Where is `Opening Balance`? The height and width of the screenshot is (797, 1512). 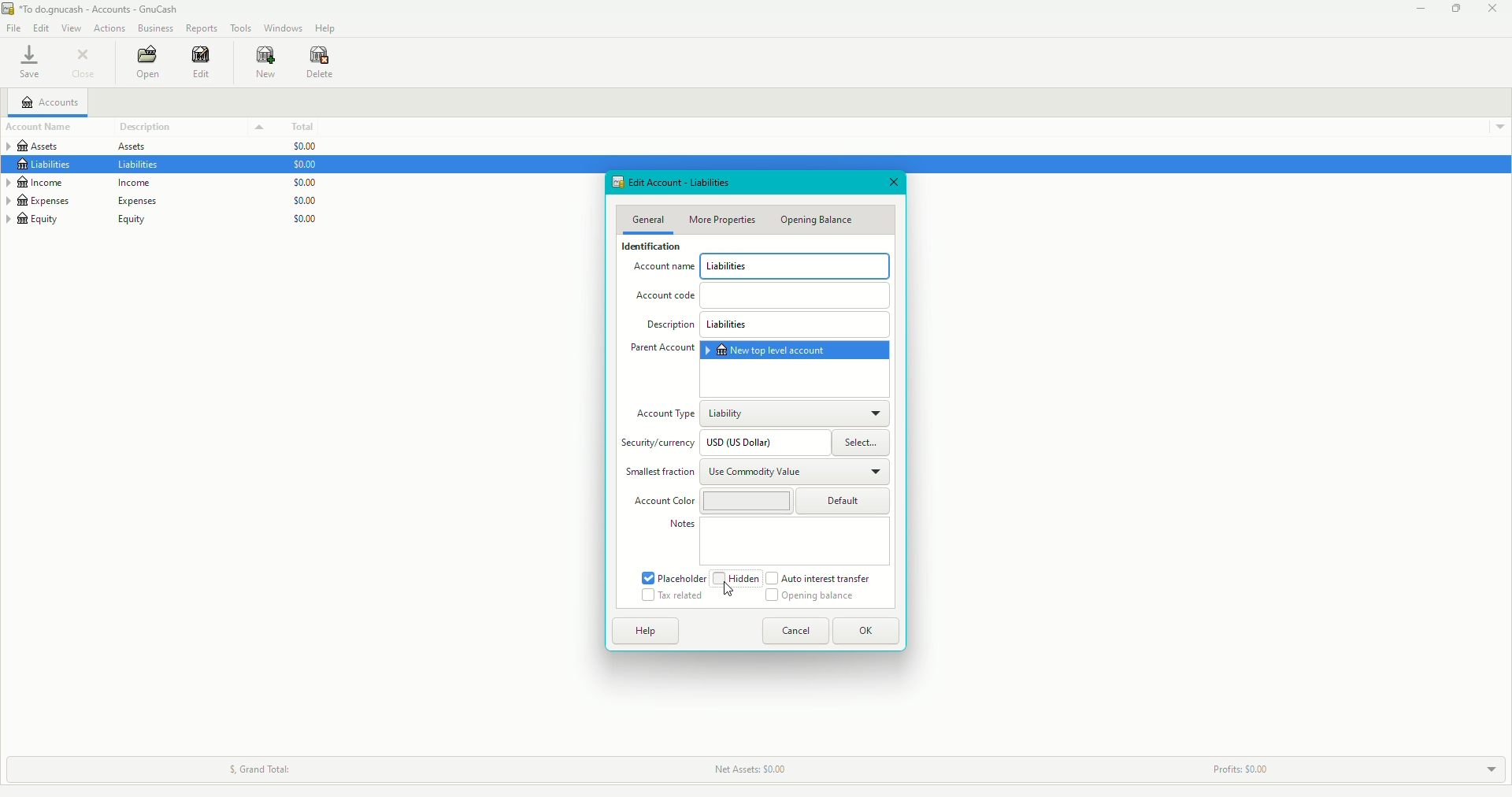
Opening Balance is located at coordinates (816, 599).